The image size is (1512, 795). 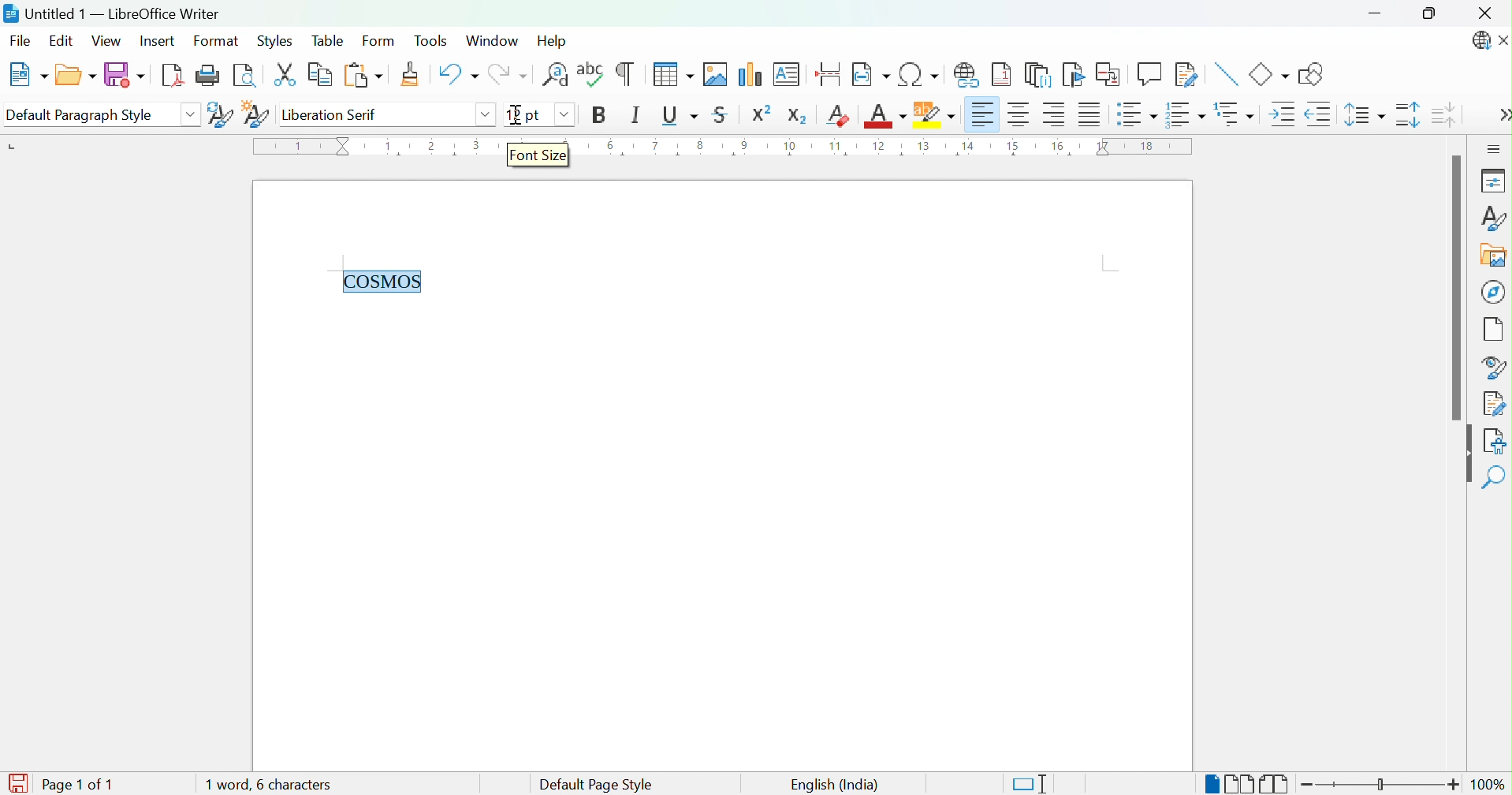 I want to click on Styles, so click(x=1492, y=218).